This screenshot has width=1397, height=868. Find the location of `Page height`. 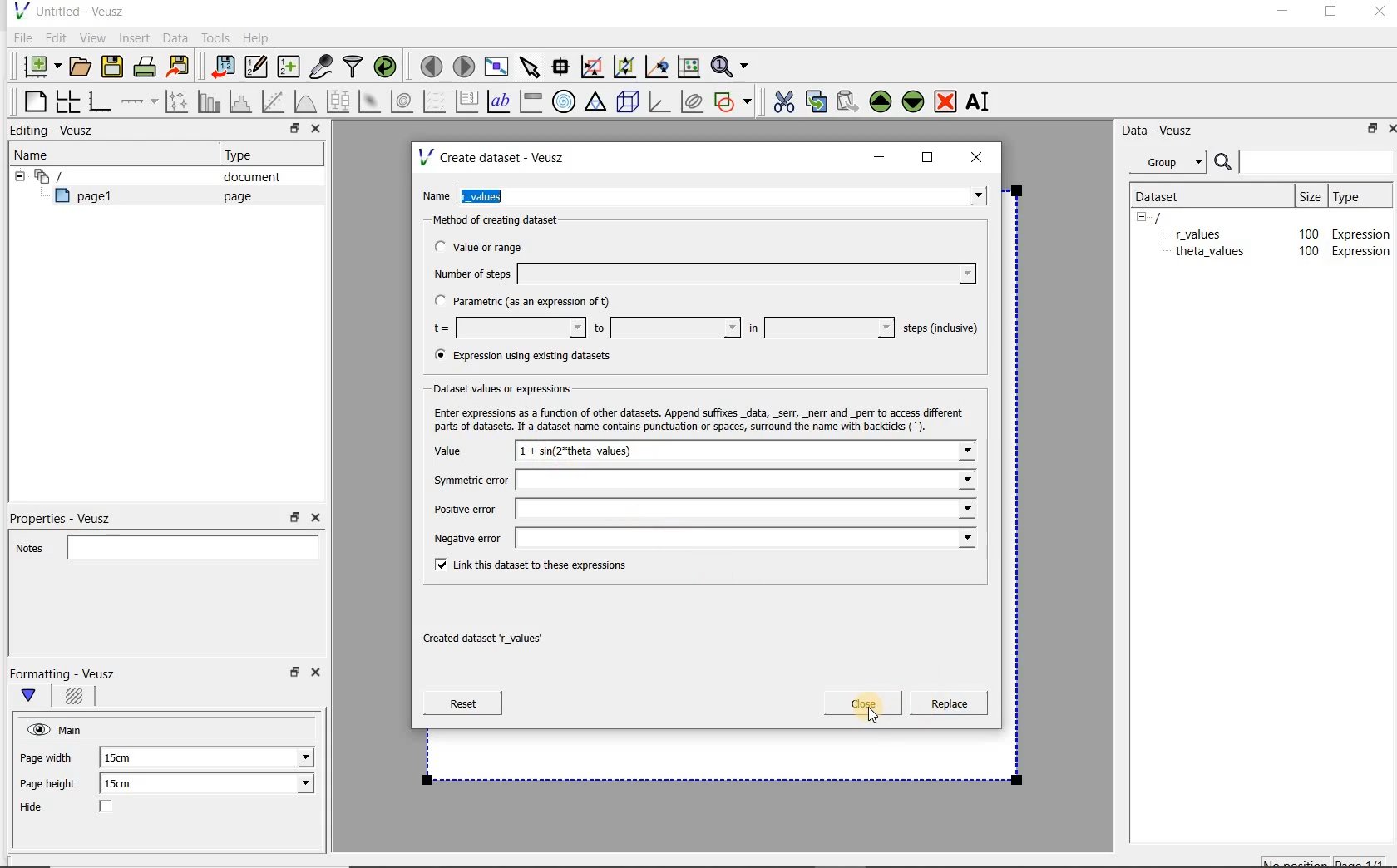

Page height is located at coordinates (53, 786).